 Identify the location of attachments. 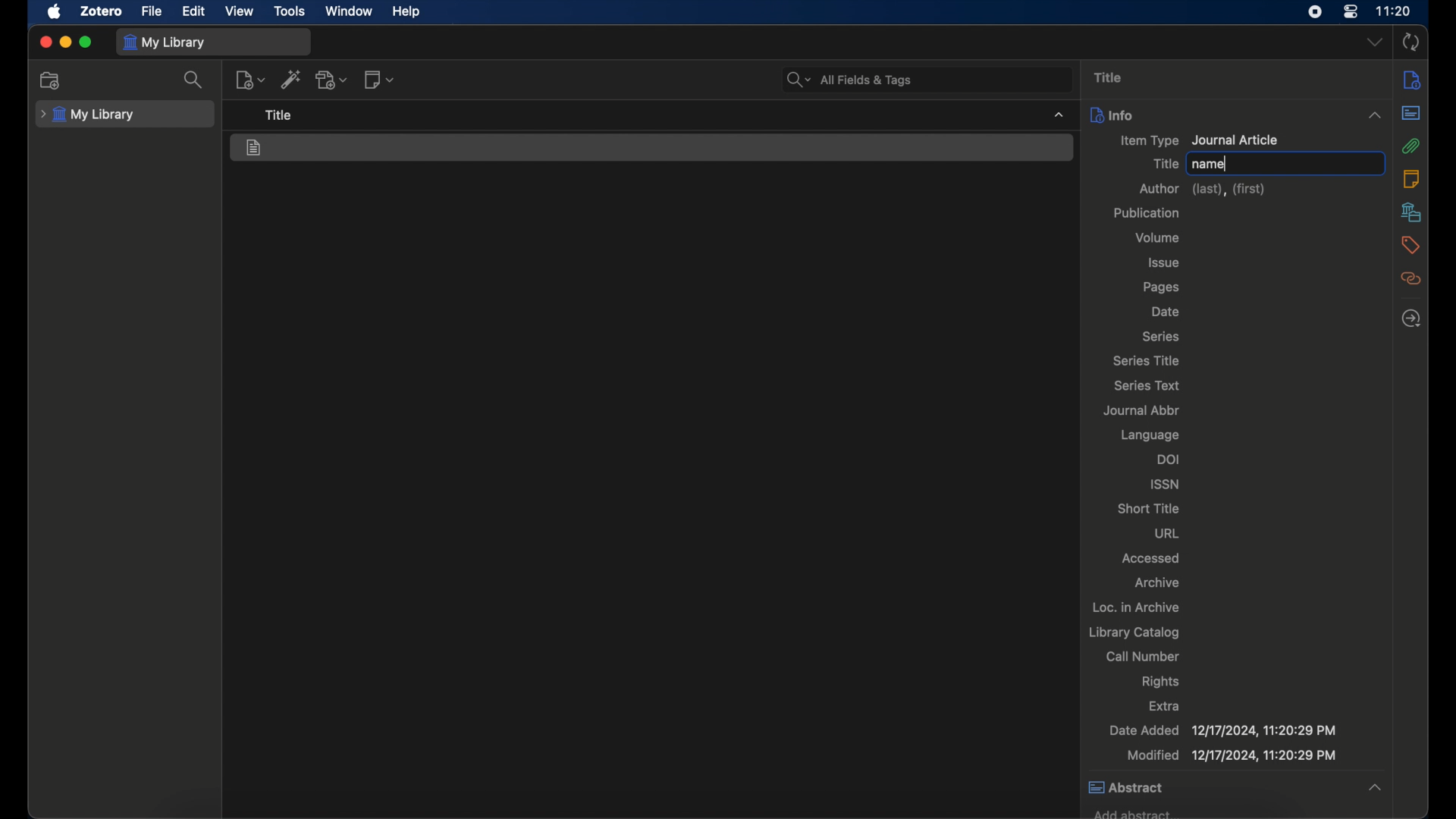
(1410, 146).